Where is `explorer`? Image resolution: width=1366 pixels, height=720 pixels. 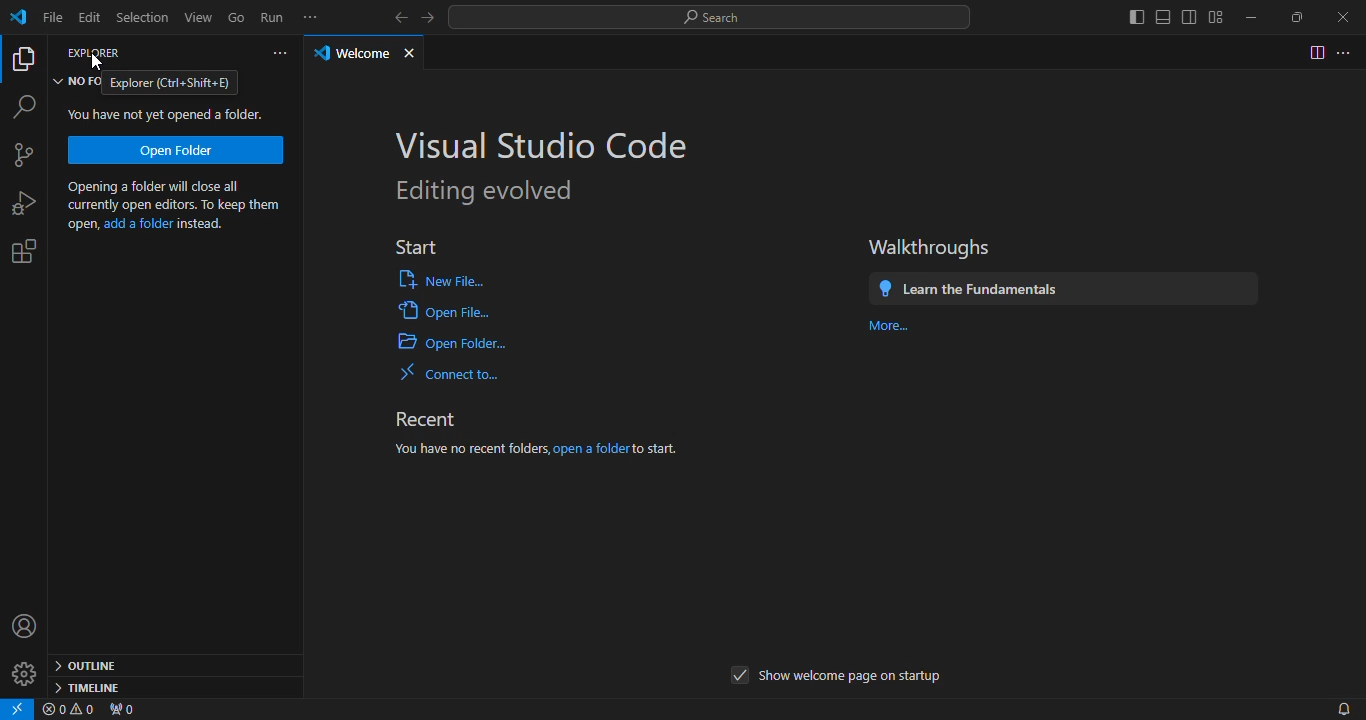
explorer is located at coordinates (174, 82).